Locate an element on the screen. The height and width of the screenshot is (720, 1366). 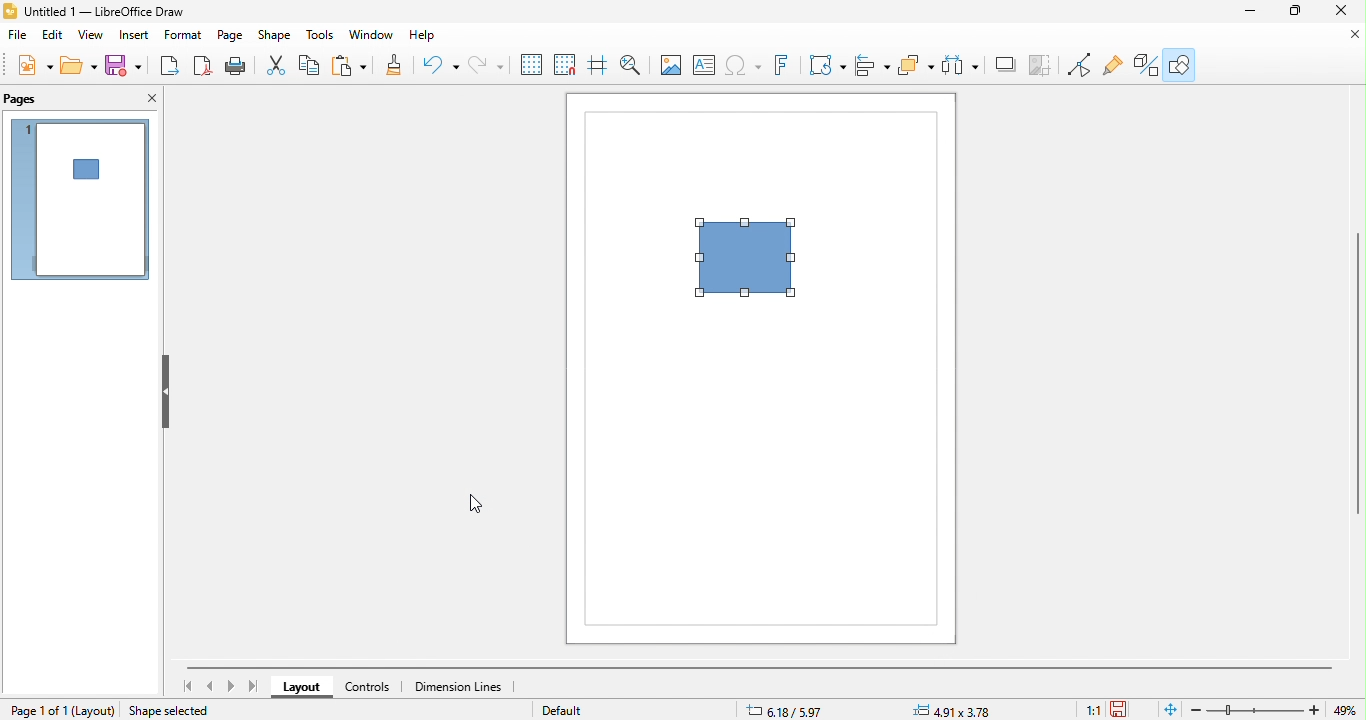
first page is located at coordinates (187, 686).